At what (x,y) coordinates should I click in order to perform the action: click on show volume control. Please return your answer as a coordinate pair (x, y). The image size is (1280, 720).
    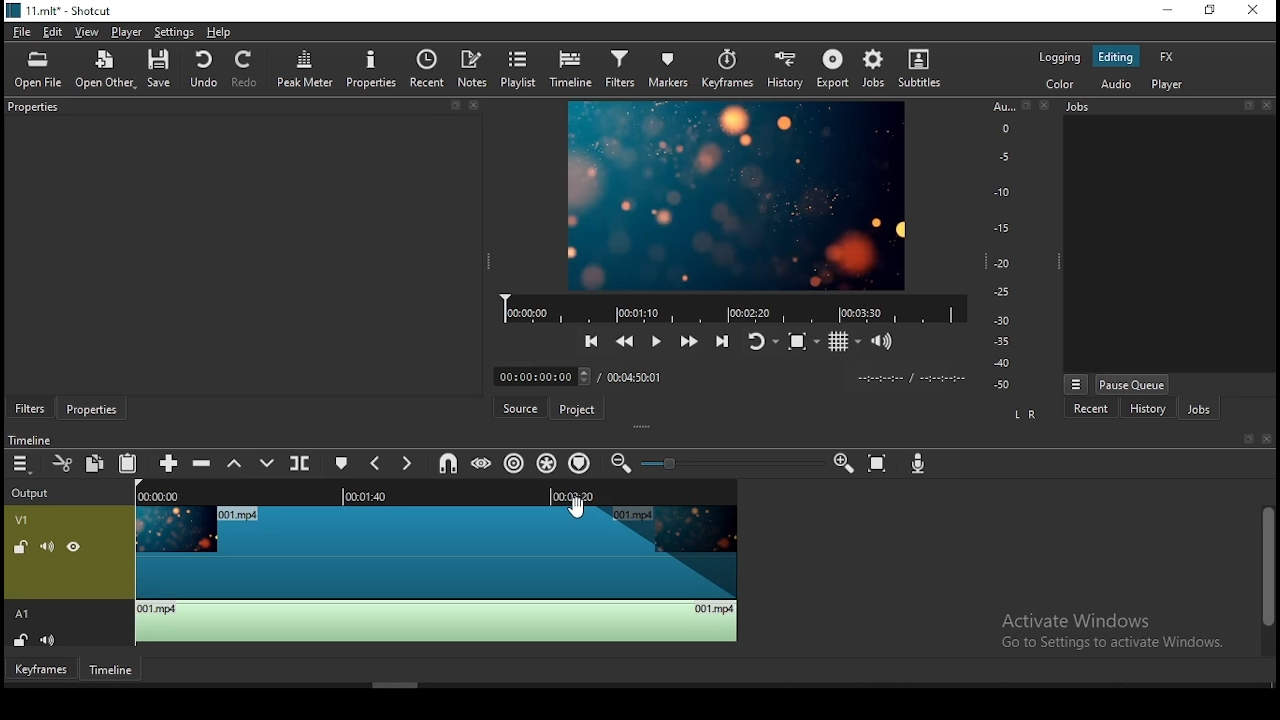
    Looking at the image, I should click on (883, 343).